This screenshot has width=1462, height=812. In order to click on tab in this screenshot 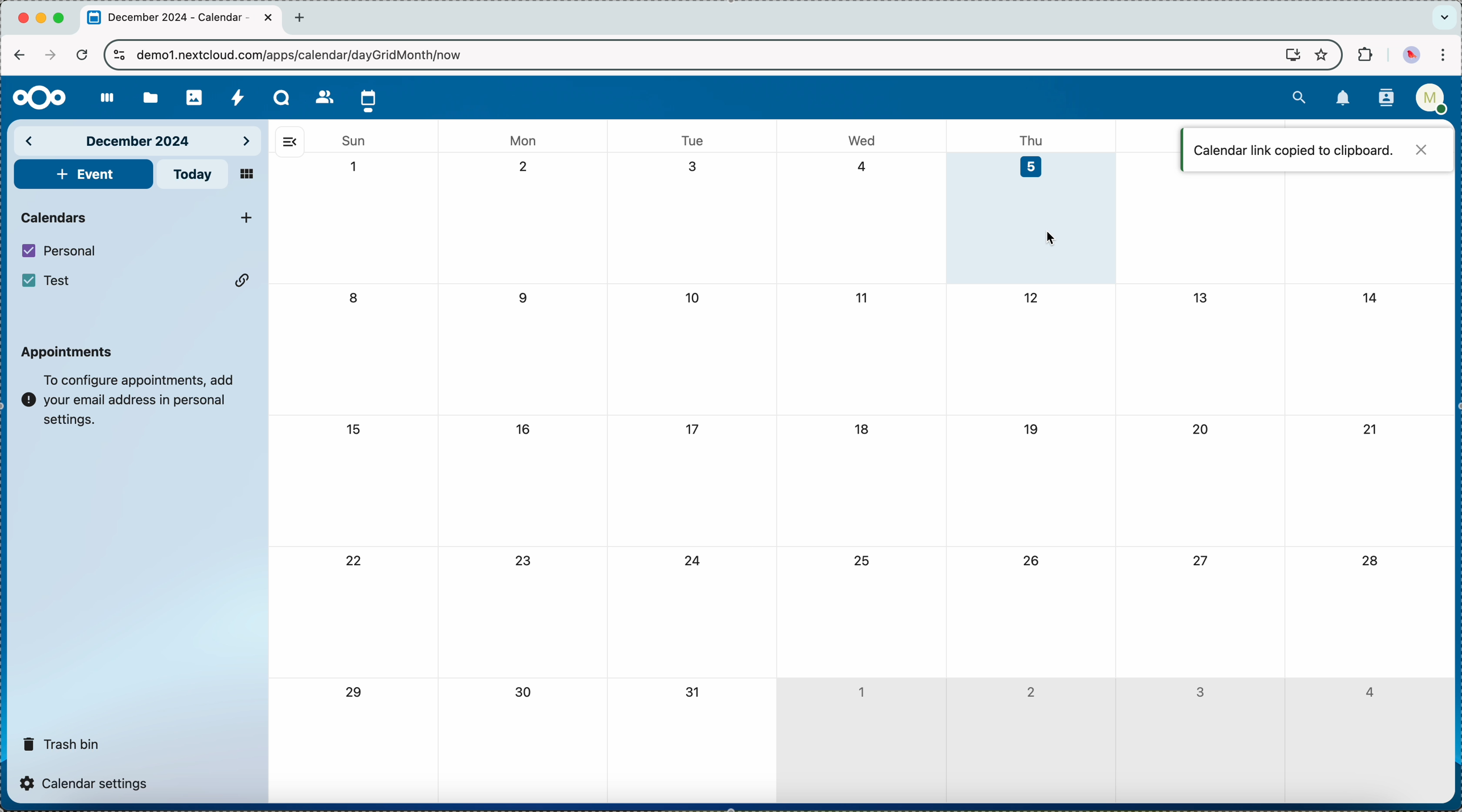, I will do `click(182, 19)`.